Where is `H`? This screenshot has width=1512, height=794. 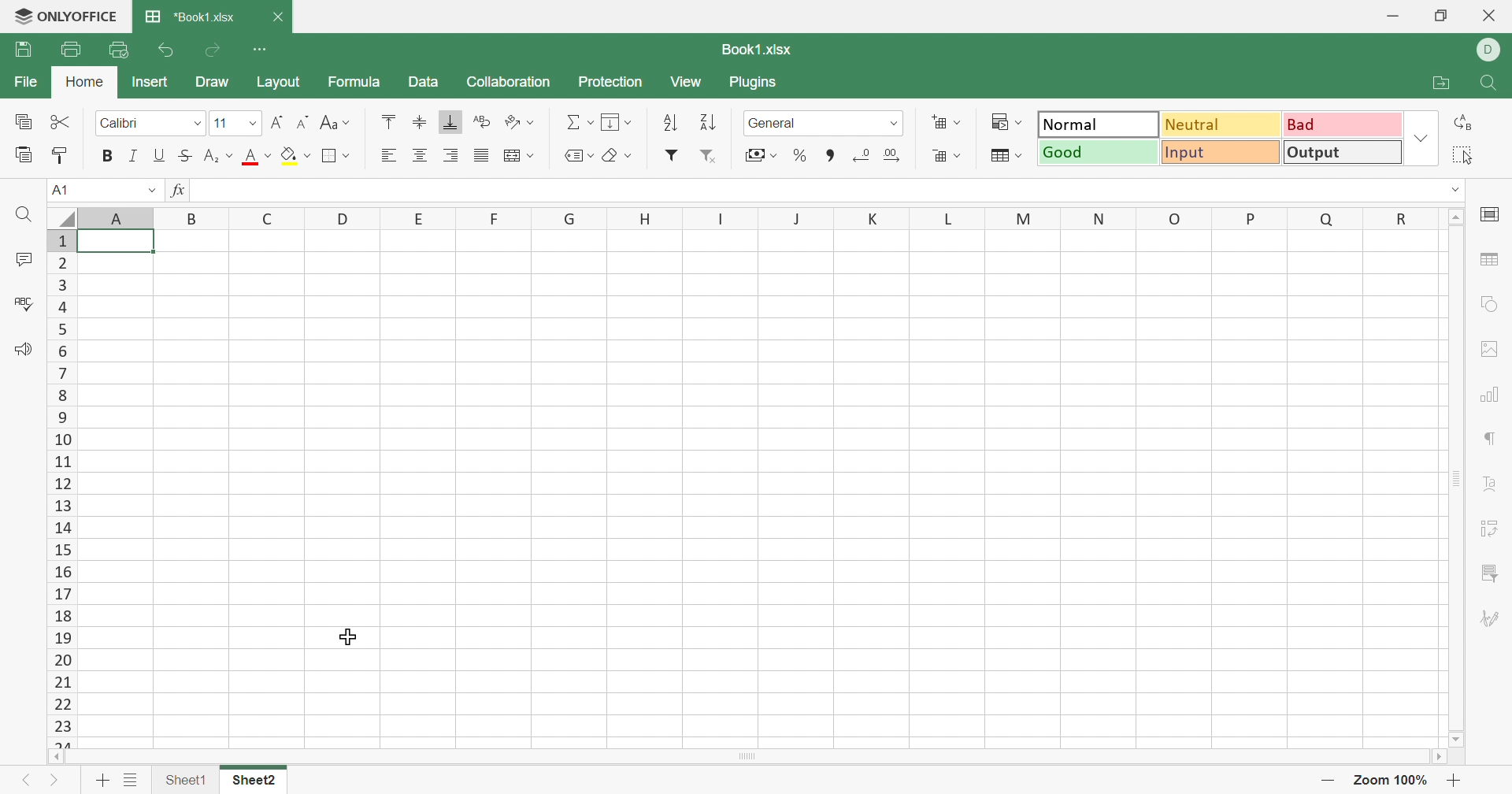 H is located at coordinates (643, 217).